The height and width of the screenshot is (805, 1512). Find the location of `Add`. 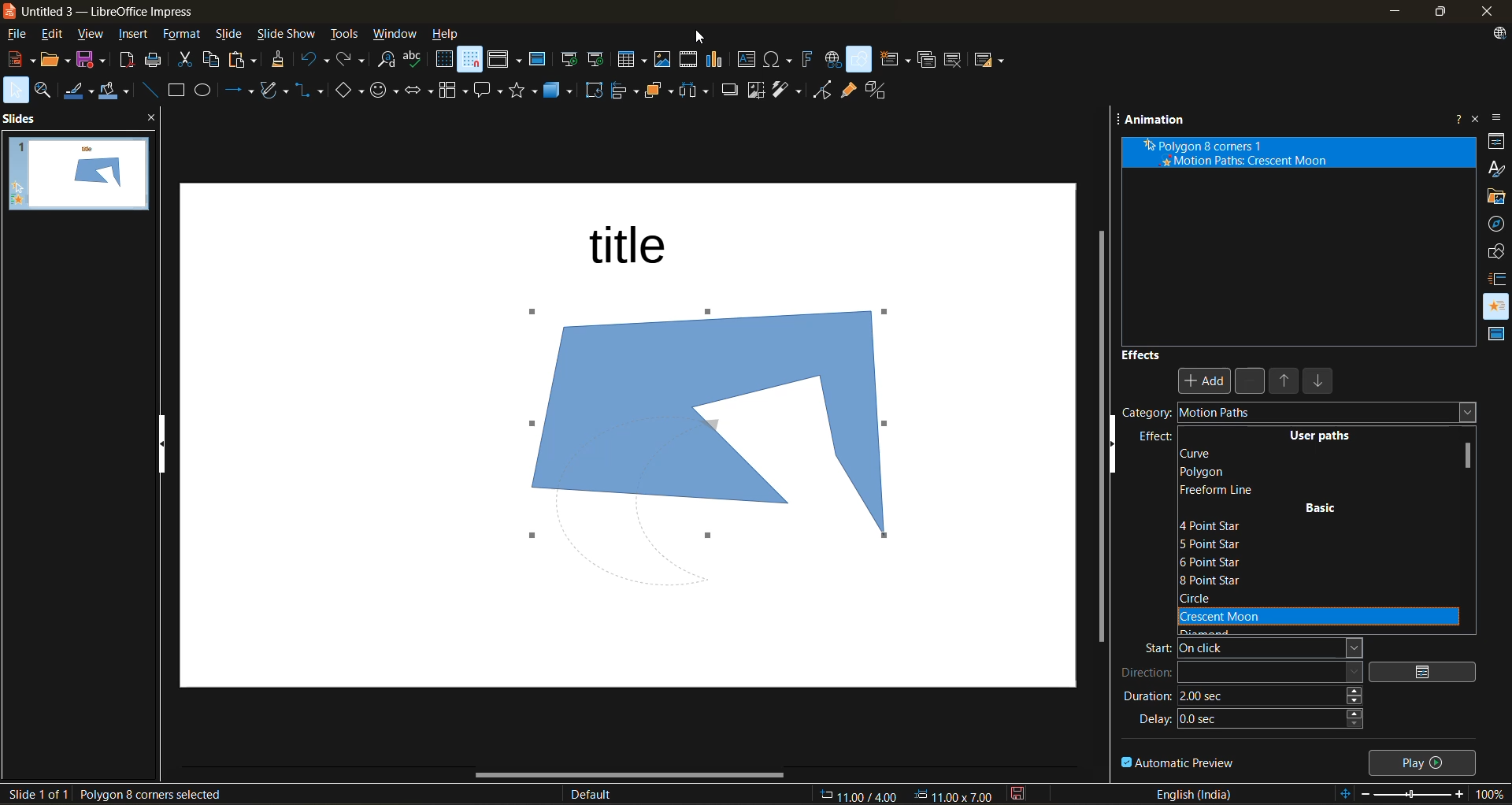

Add is located at coordinates (1207, 384).